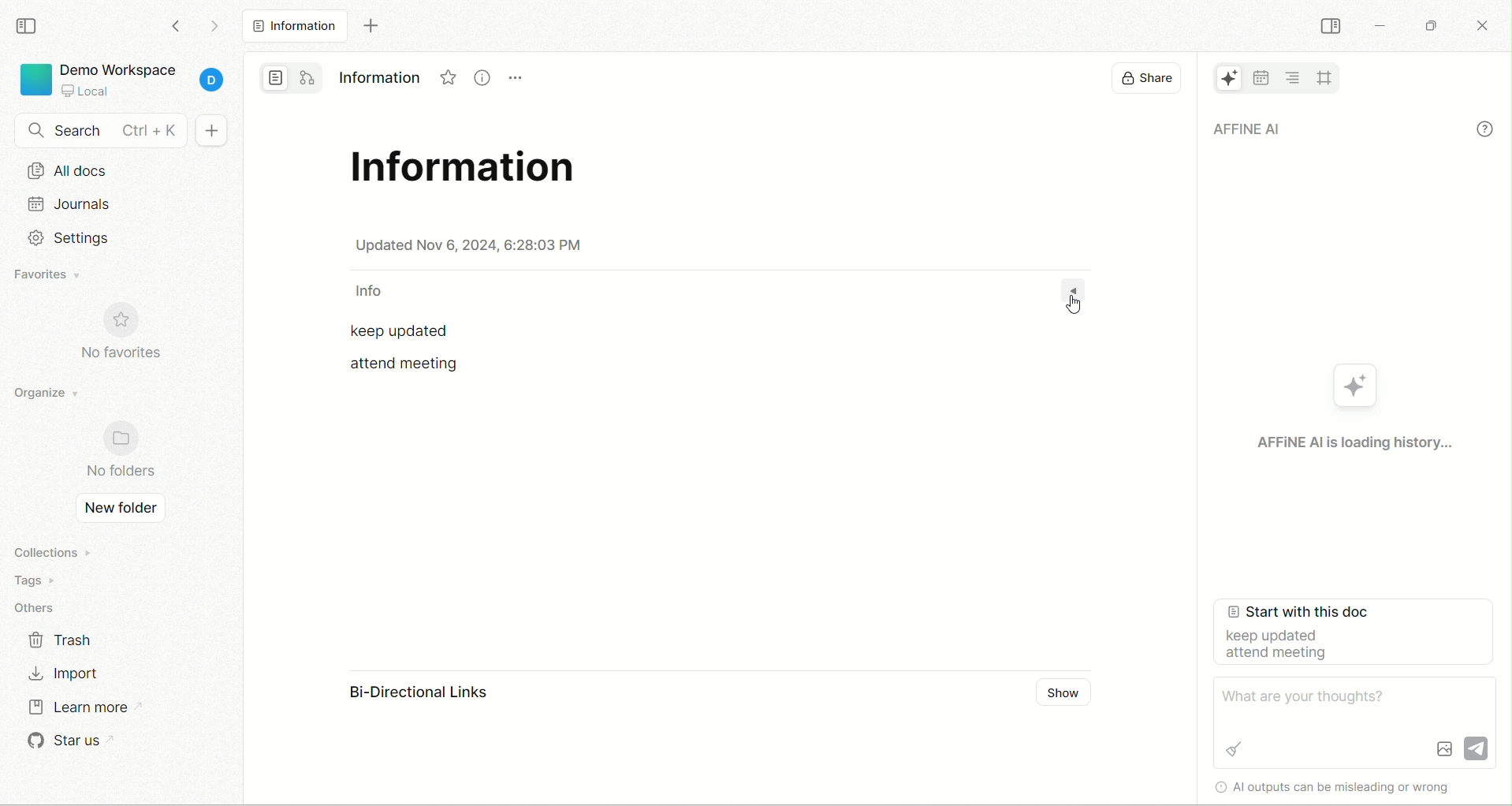 The height and width of the screenshot is (806, 1512). What do you see at coordinates (1483, 128) in the screenshot?
I see `info` at bounding box center [1483, 128].